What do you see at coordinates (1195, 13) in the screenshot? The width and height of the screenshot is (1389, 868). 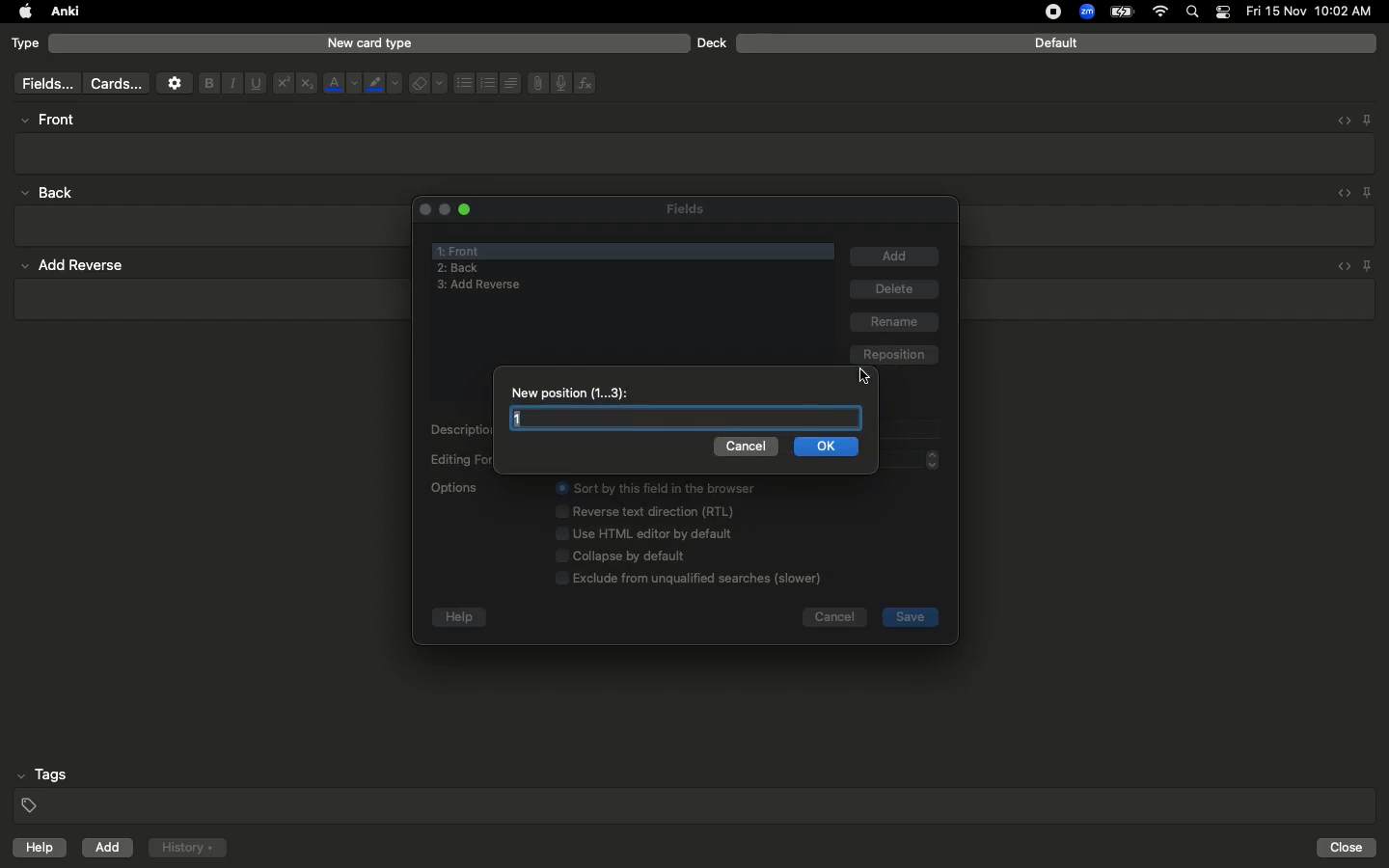 I see `Search` at bounding box center [1195, 13].